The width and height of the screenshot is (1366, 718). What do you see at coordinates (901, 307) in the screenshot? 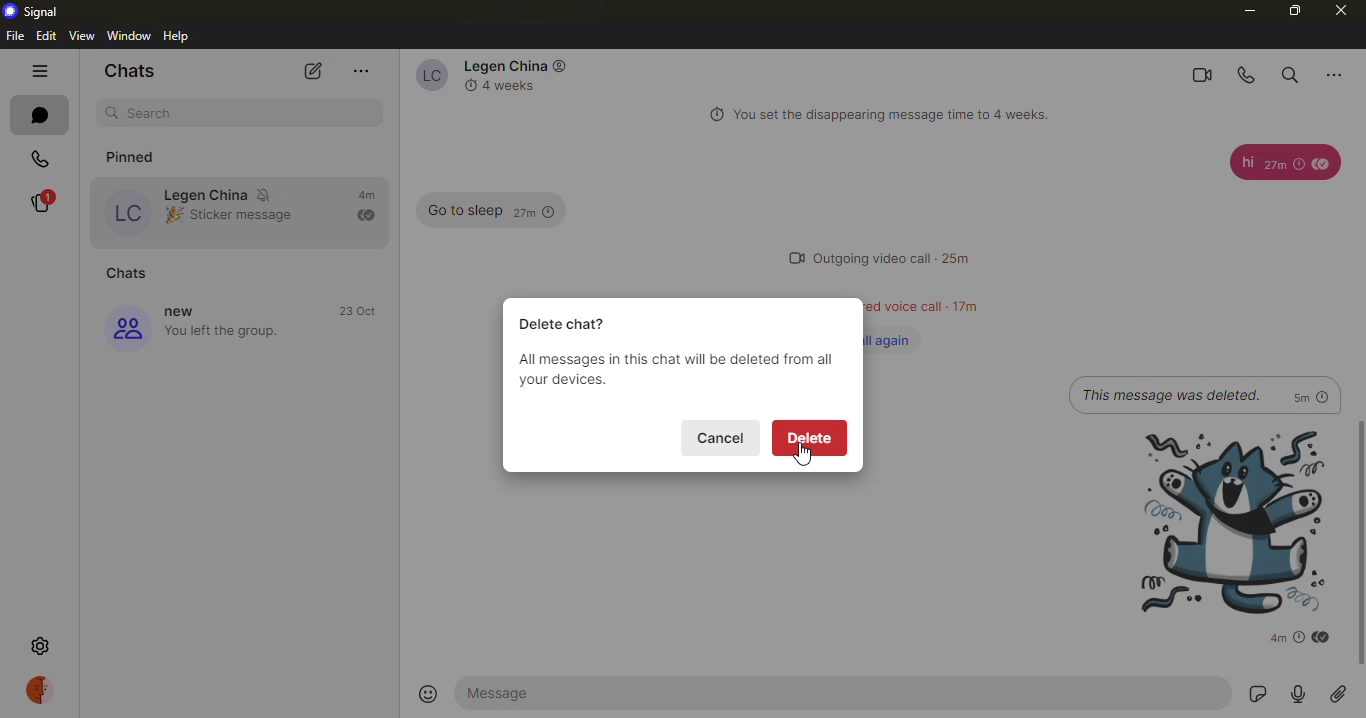
I see `status message` at bounding box center [901, 307].